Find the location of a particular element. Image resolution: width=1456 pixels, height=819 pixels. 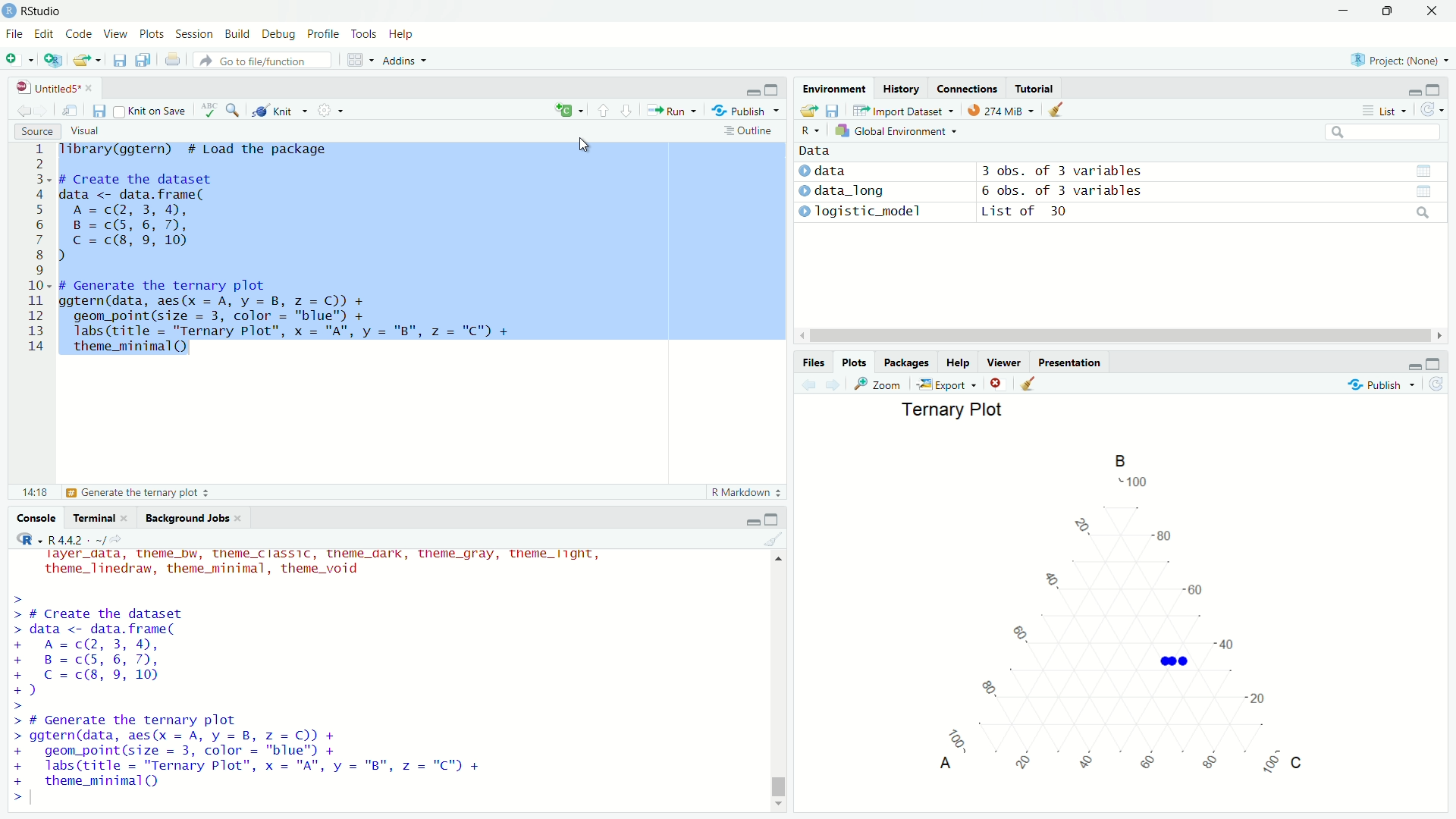

clear is located at coordinates (1028, 383).